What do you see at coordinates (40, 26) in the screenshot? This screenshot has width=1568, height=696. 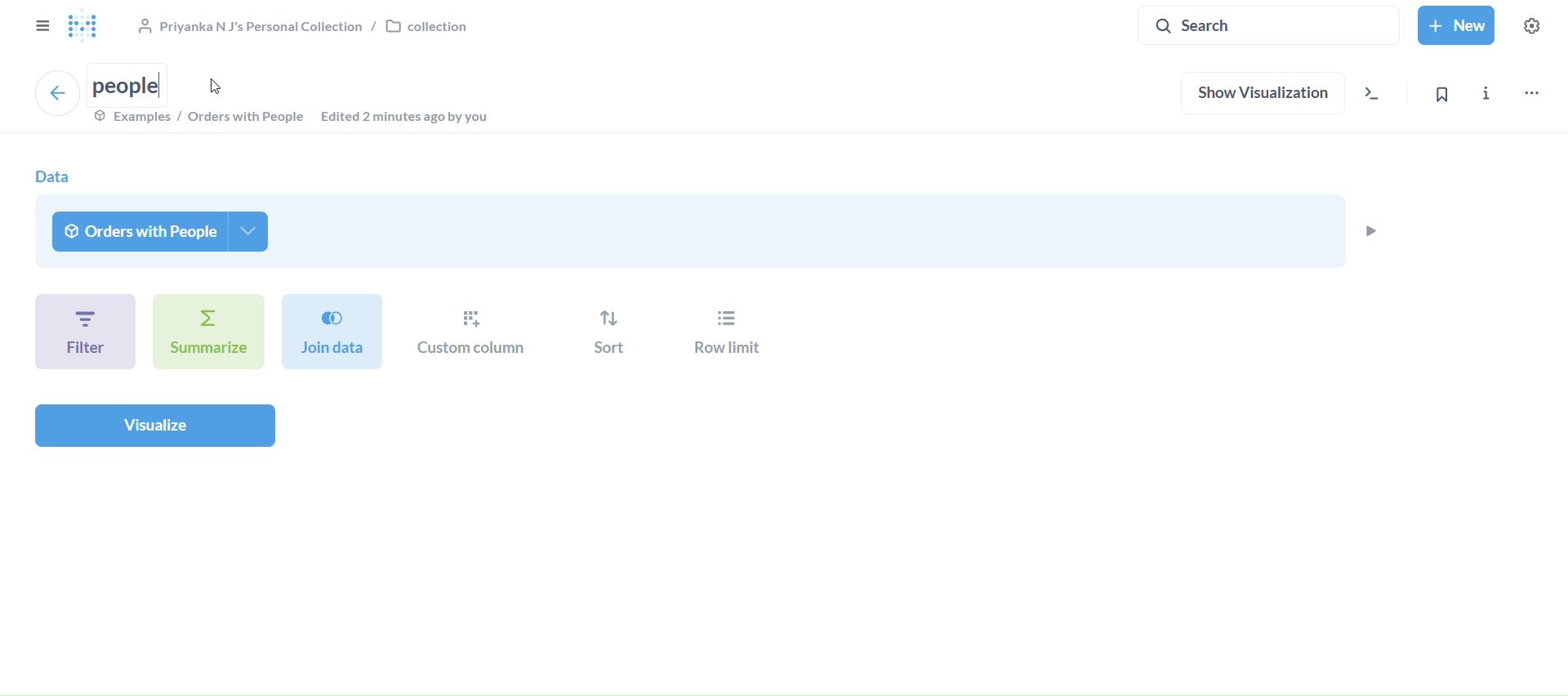 I see `close sidebar` at bounding box center [40, 26].